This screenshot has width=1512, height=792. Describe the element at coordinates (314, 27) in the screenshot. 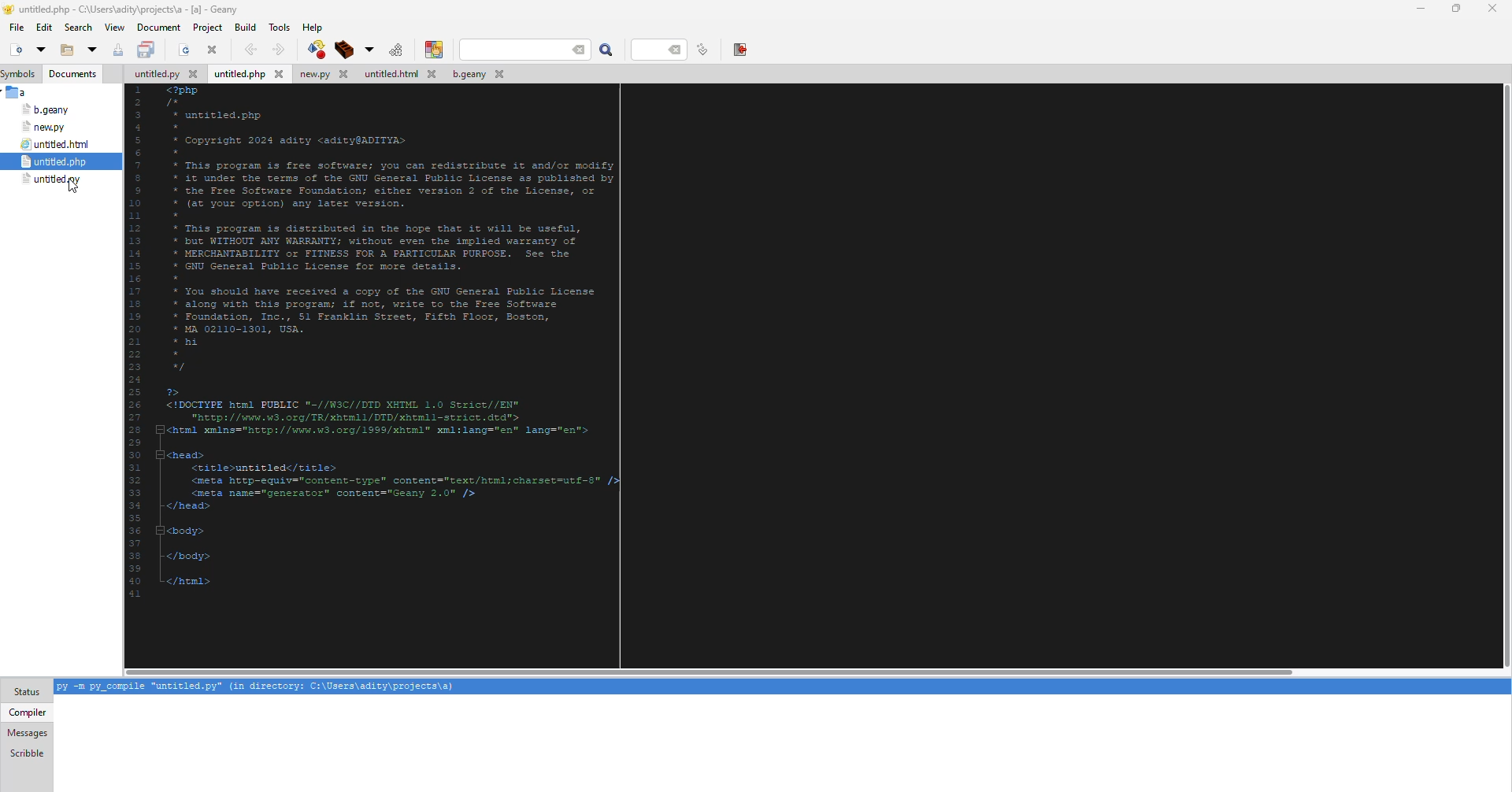

I see `help` at that location.